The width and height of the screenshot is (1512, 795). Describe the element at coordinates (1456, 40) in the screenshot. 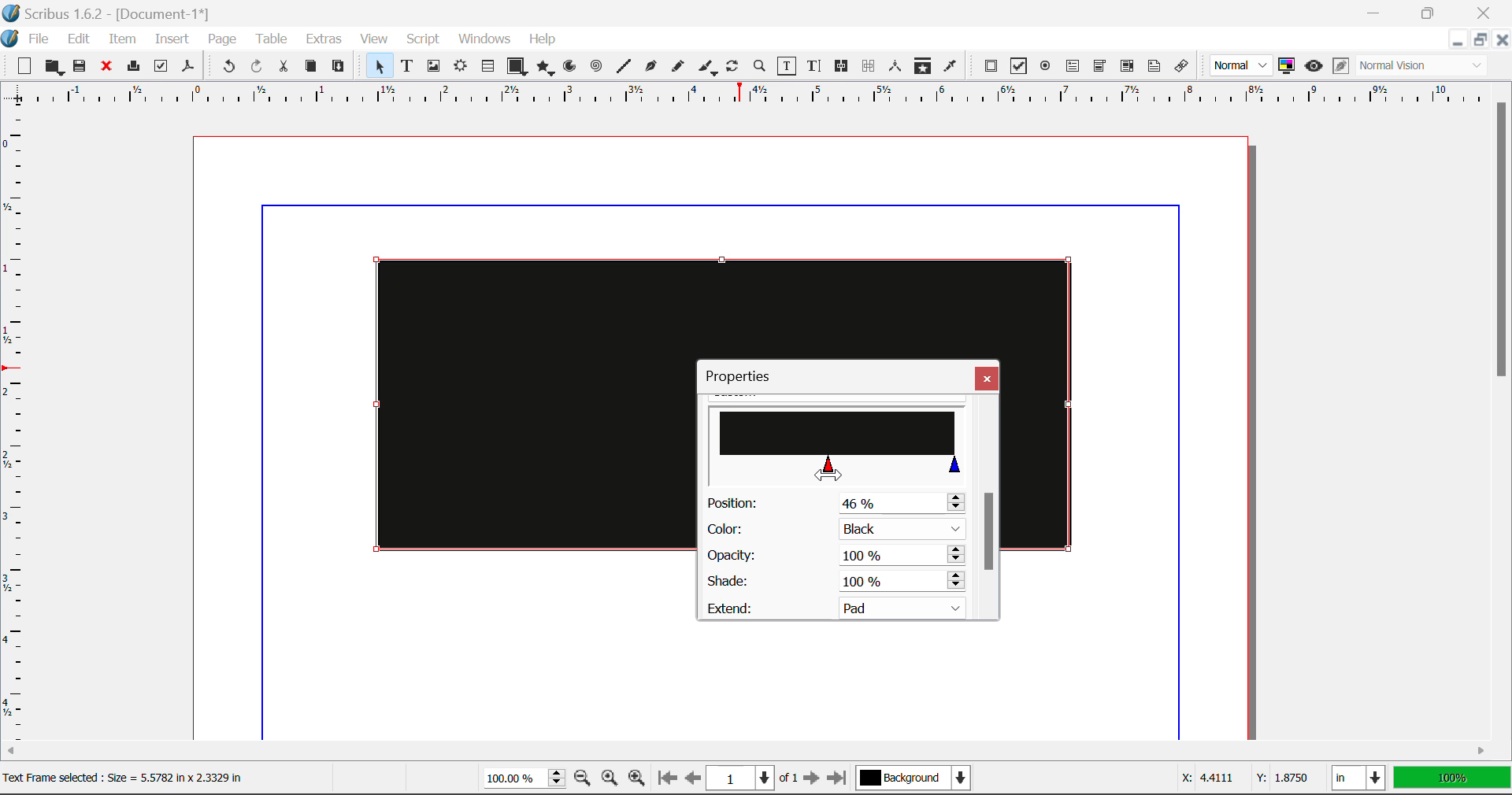

I see `Restore Down` at that location.